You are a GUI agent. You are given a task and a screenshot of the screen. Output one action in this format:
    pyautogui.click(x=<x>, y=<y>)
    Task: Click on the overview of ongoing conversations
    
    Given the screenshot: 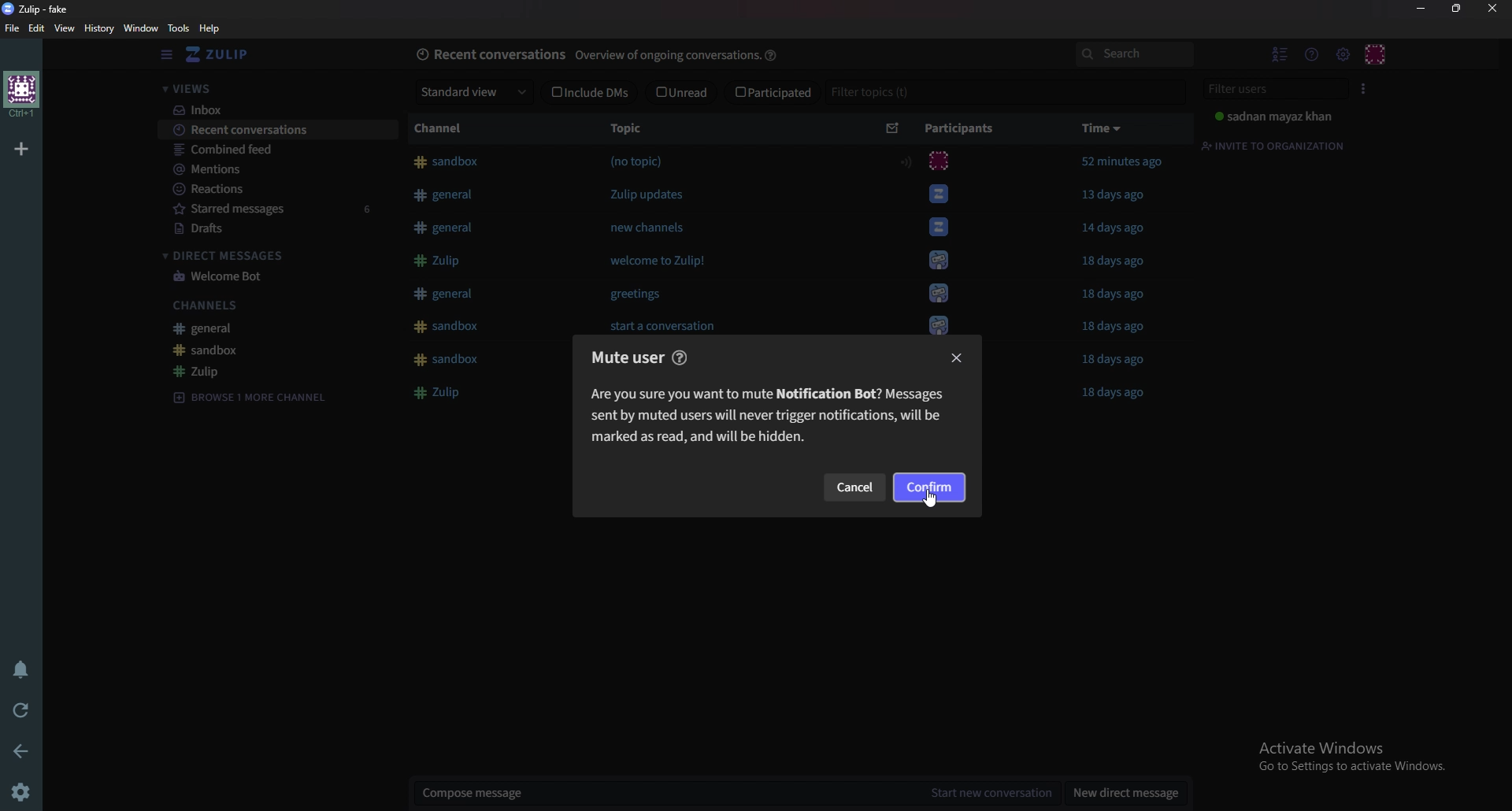 What is the action you would take?
    pyautogui.click(x=667, y=56)
    